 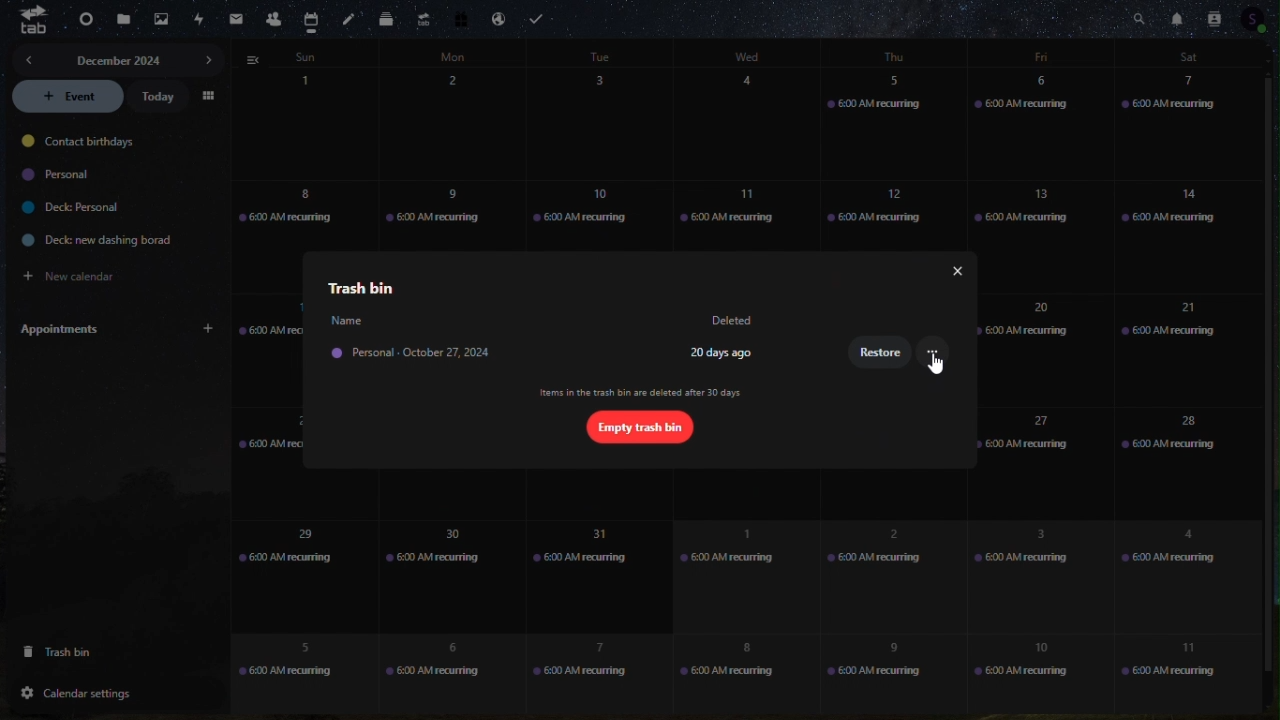 I want to click on 10, so click(x=594, y=207).